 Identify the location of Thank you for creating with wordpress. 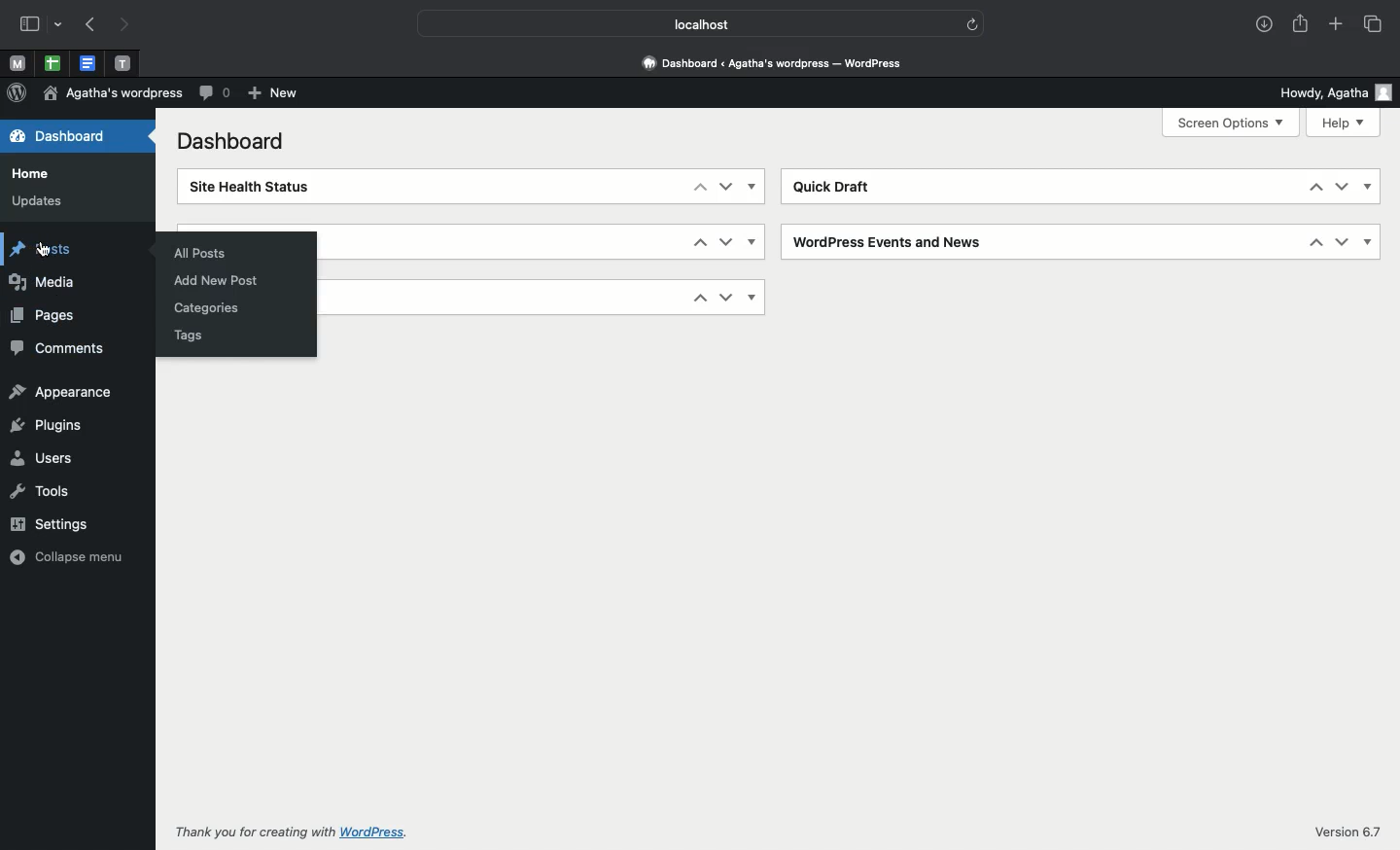
(294, 832).